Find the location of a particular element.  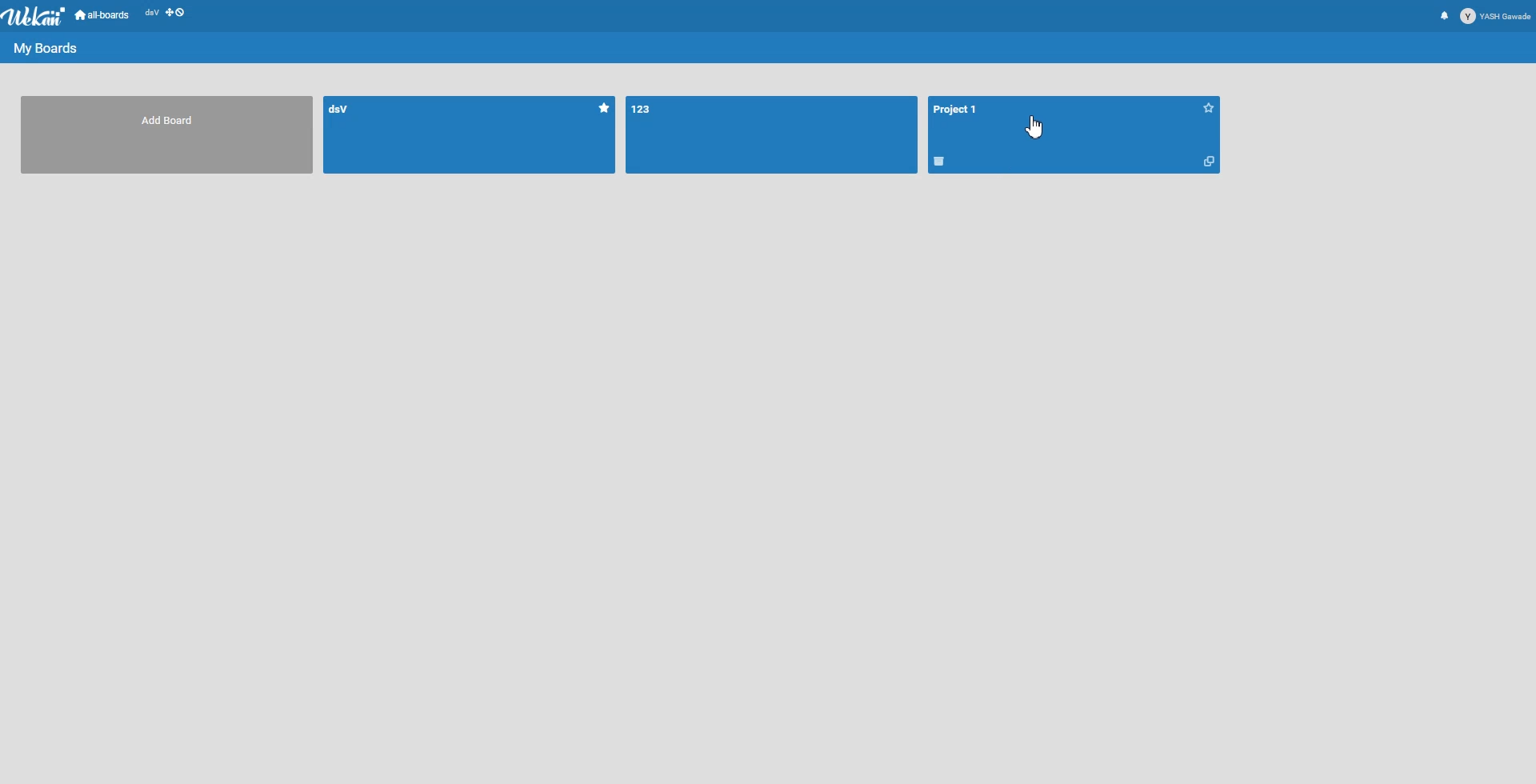

Profile is located at coordinates (1496, 16).